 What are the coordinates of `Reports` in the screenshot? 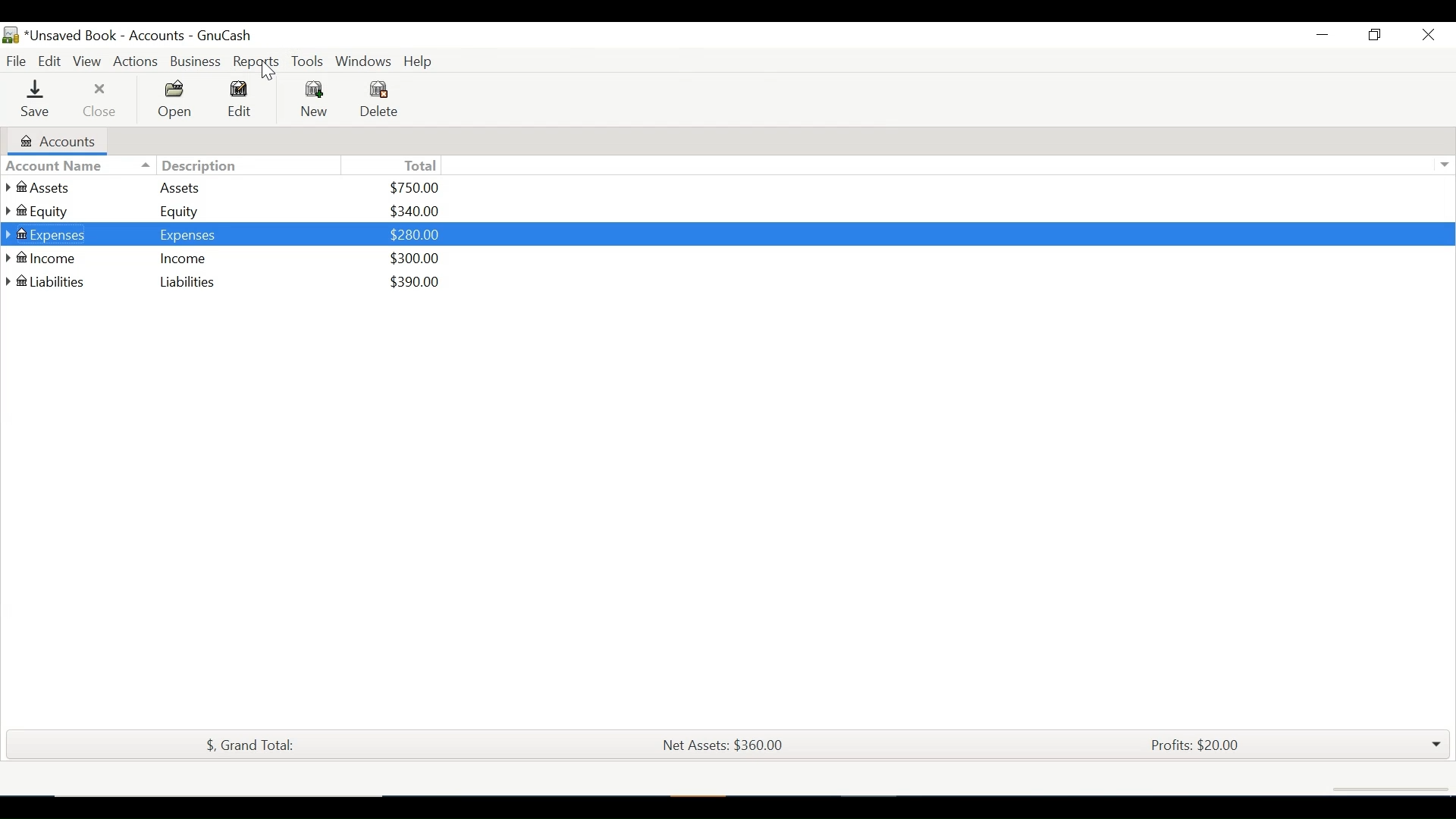 It's located at (254, 60).